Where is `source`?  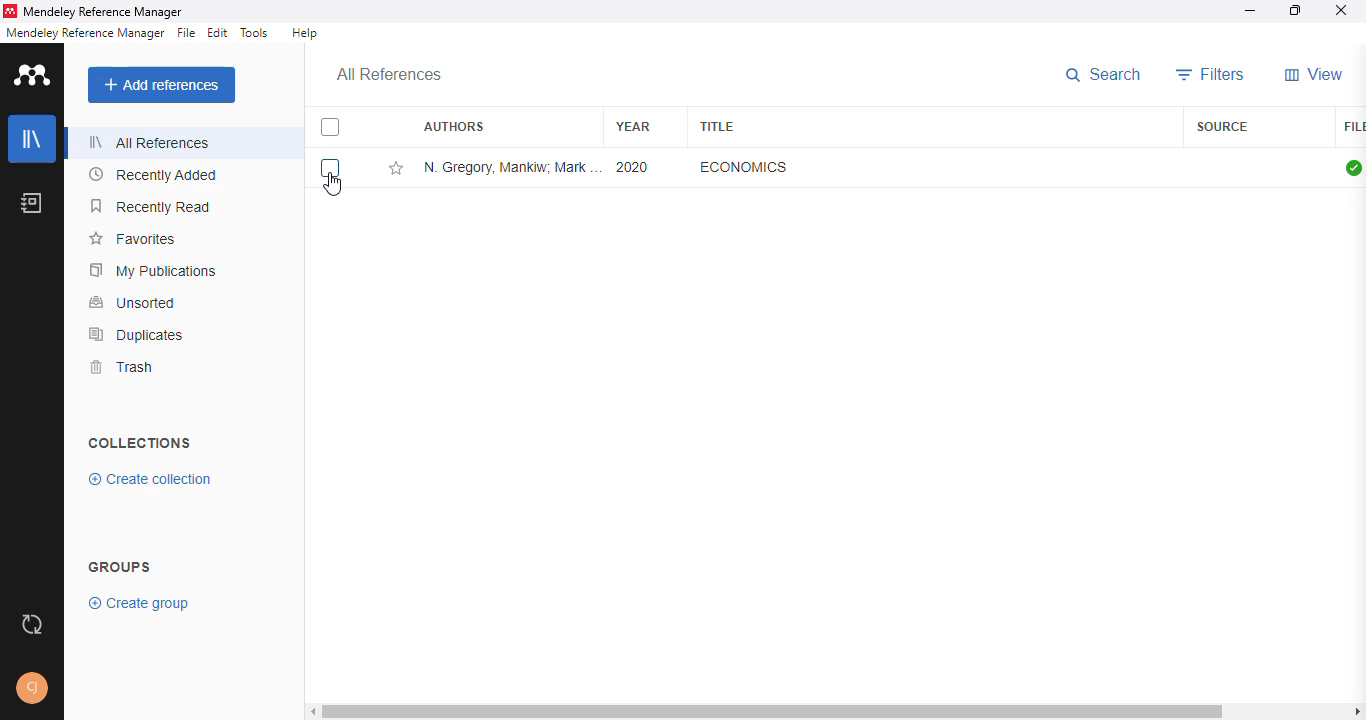 source is located at coordinates (1223, 127).